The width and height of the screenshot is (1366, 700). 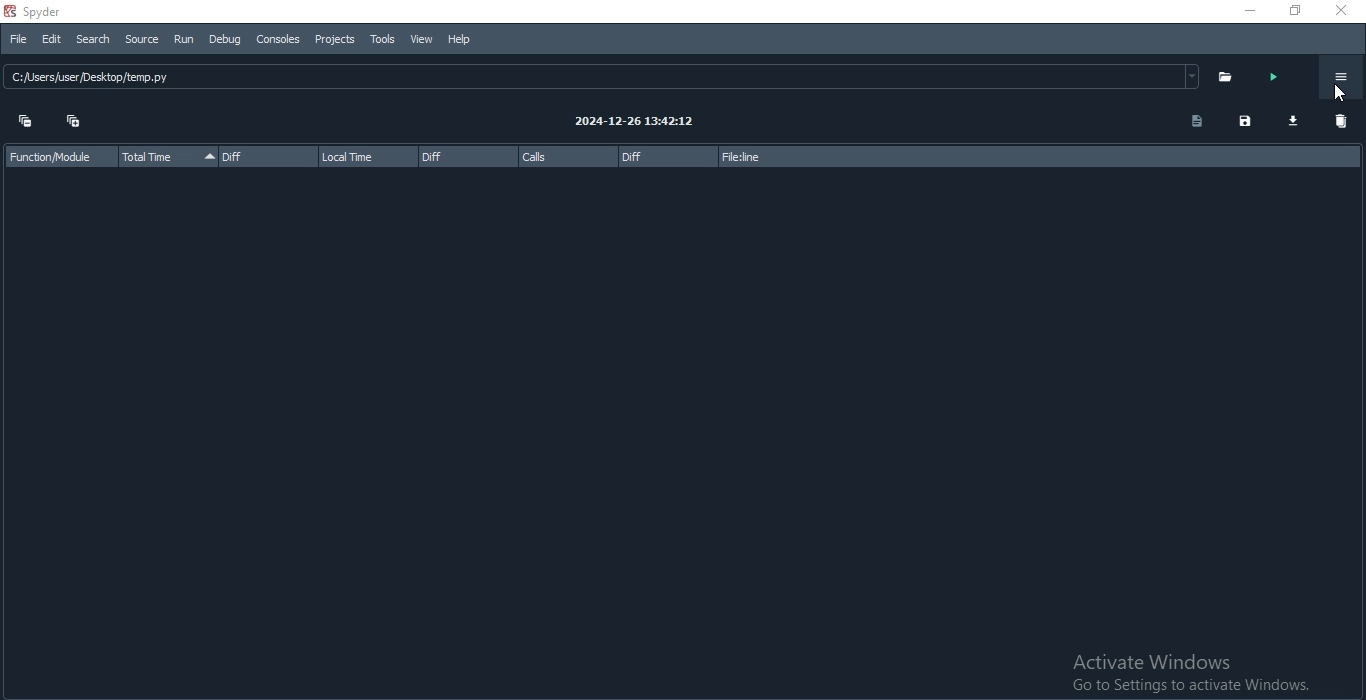 I want to click on collapse, so click(x=24, y=122).